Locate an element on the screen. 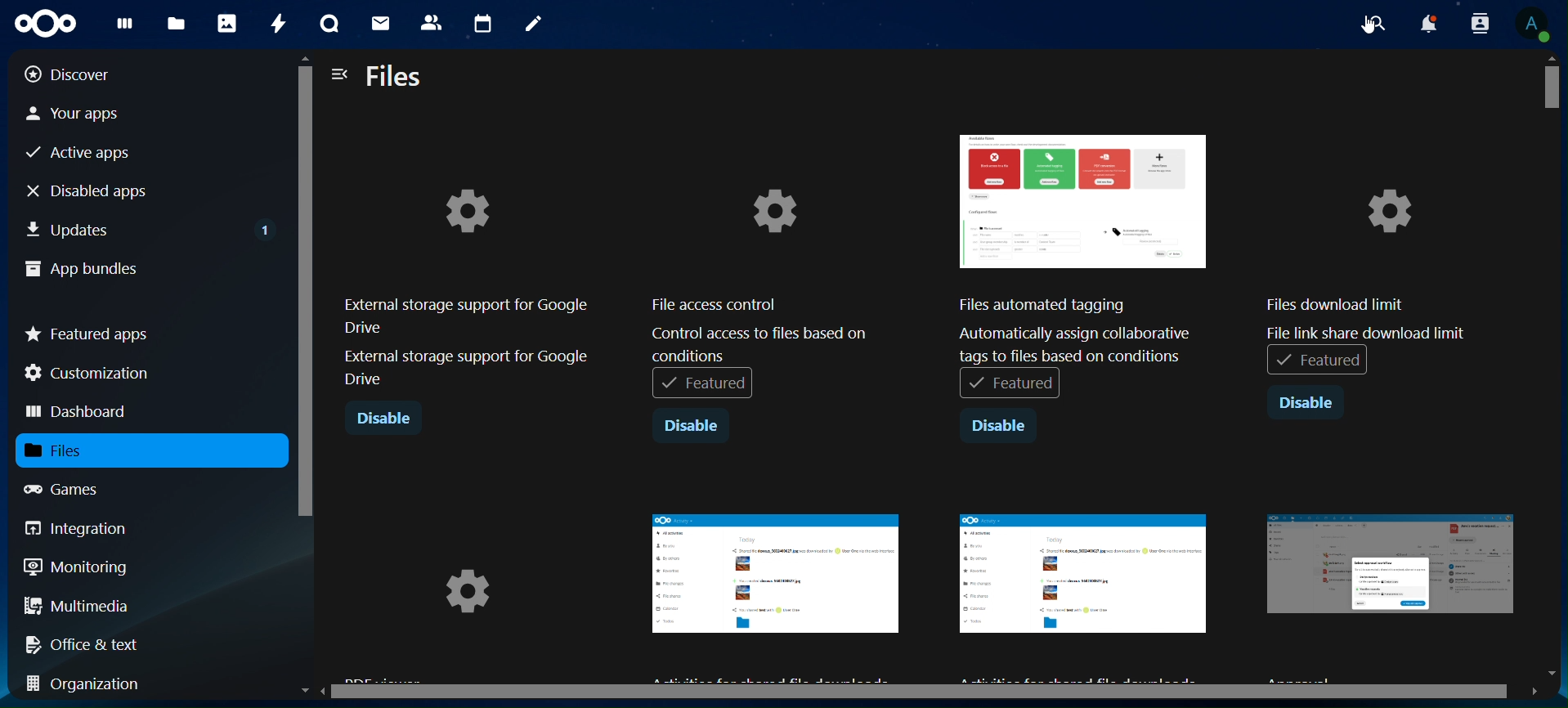  image is located at coordinates (1396, 594).